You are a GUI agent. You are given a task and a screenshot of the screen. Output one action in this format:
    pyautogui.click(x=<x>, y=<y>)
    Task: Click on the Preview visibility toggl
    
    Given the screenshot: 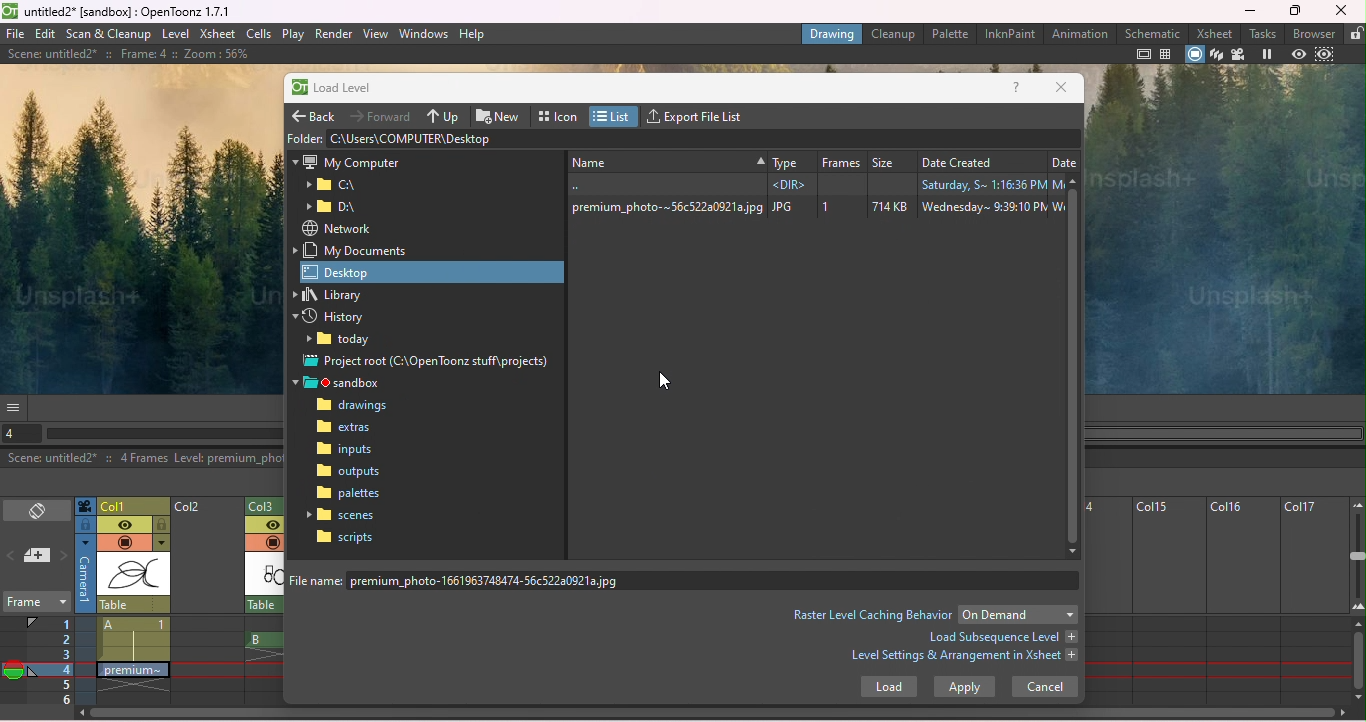 What is the action you would take?
    pyautogui.click(x=263, y=526)
    